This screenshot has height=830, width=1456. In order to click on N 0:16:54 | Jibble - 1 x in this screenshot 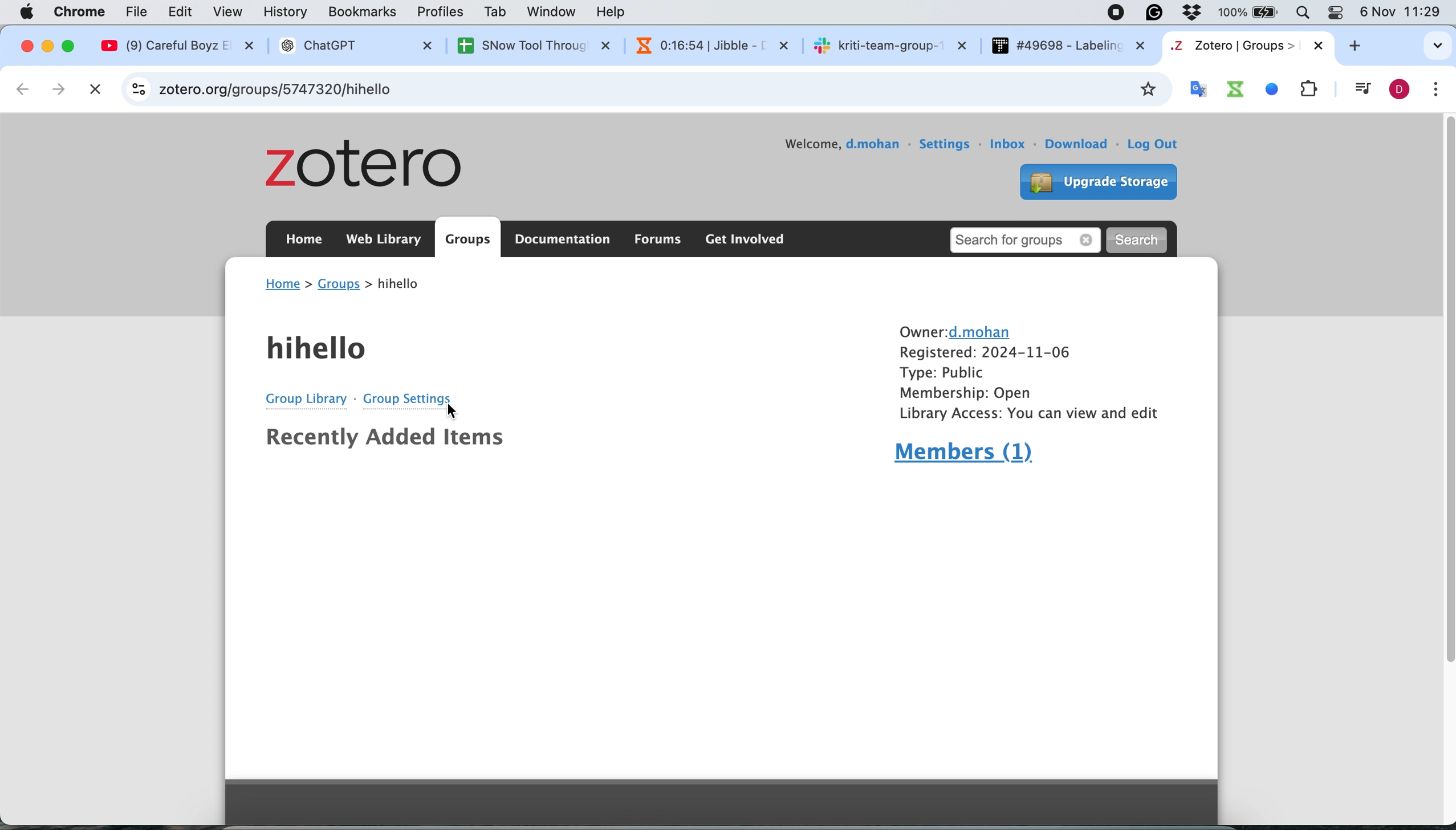, I will do `click(703, 44)`.